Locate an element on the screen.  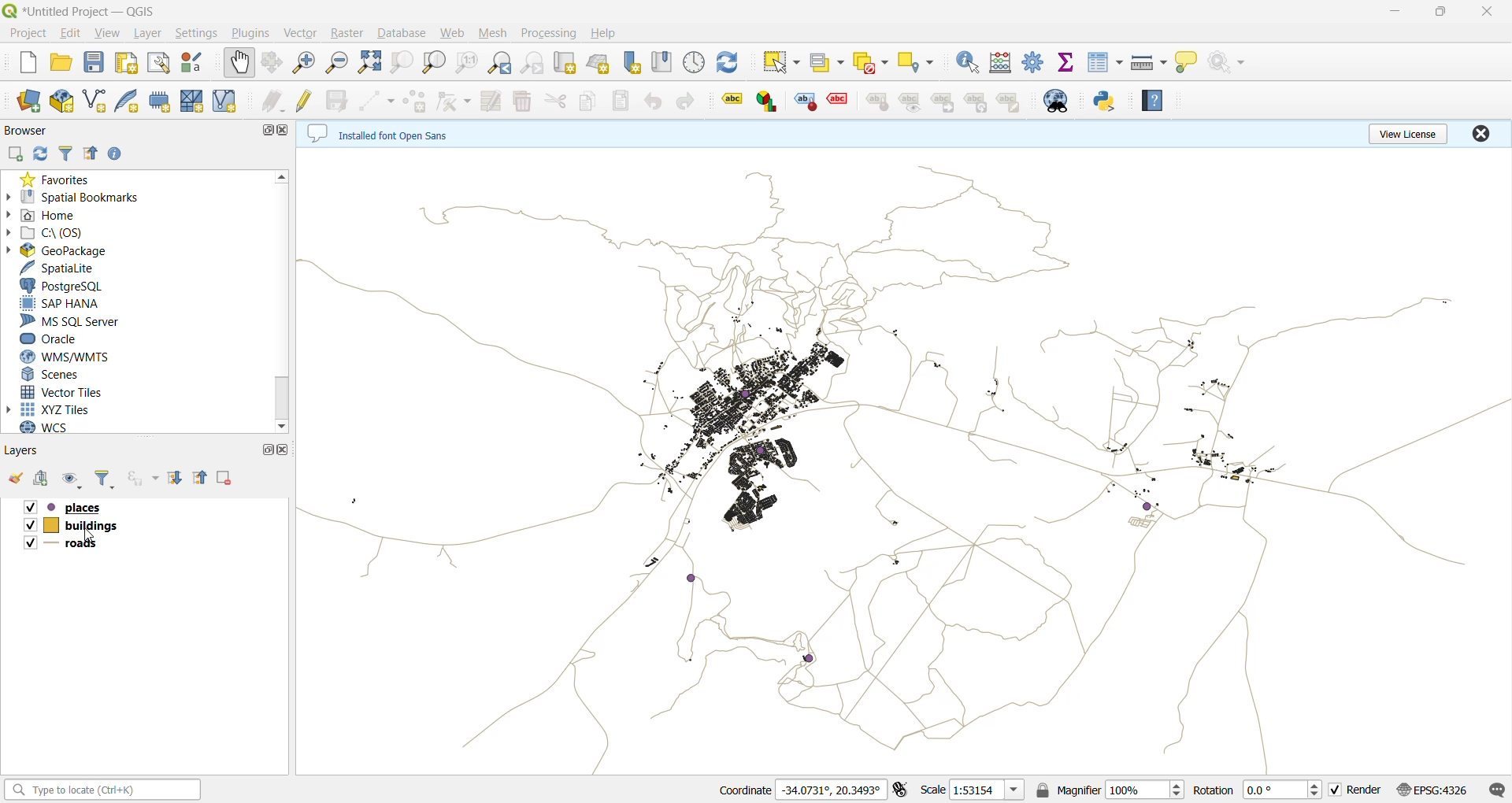
ms sql server is located at coordinates (71, 323).